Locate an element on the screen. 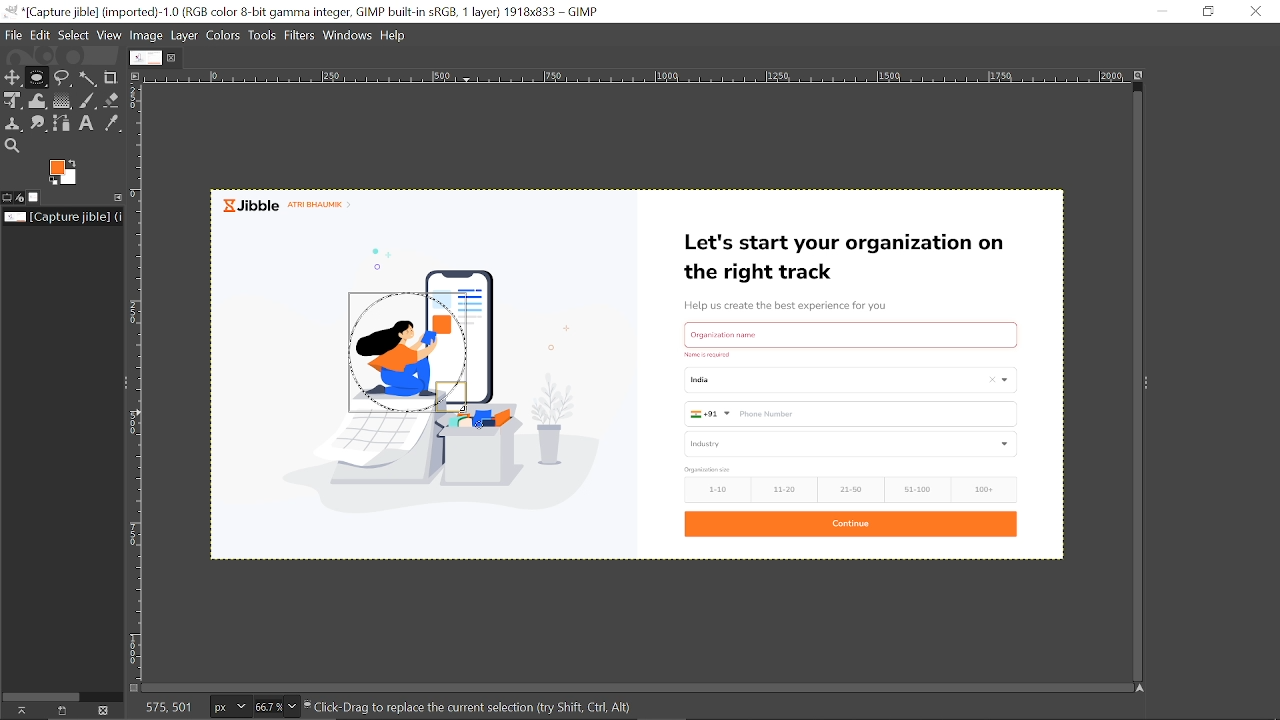 The image size is (1280, 720). Paths tool is located at coordinates (64, 122).